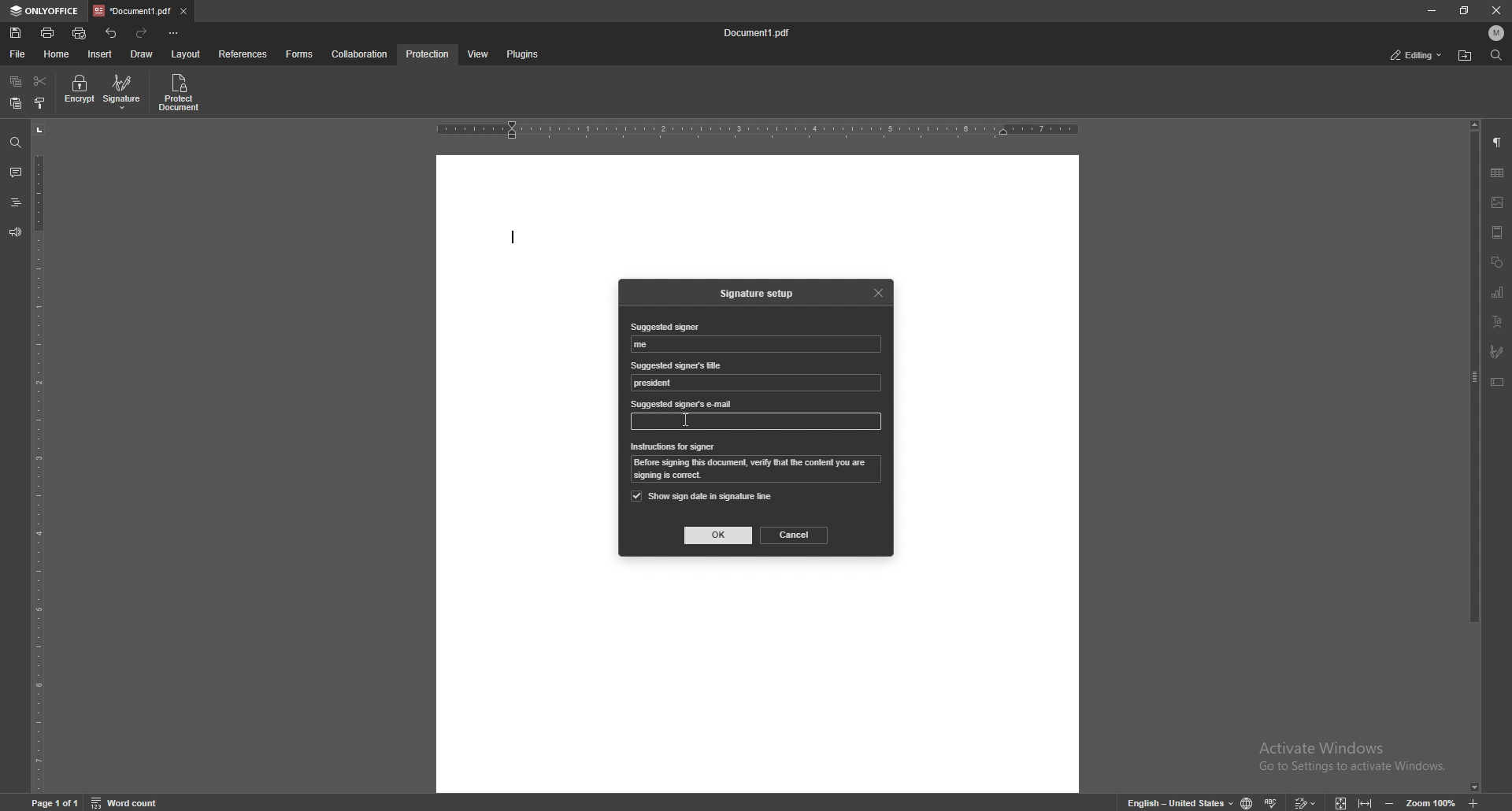 This screenshot has width=1512, height=811. Describe the element at coordinates (795, 535) in the screenshot. I see `cancel` at that location.